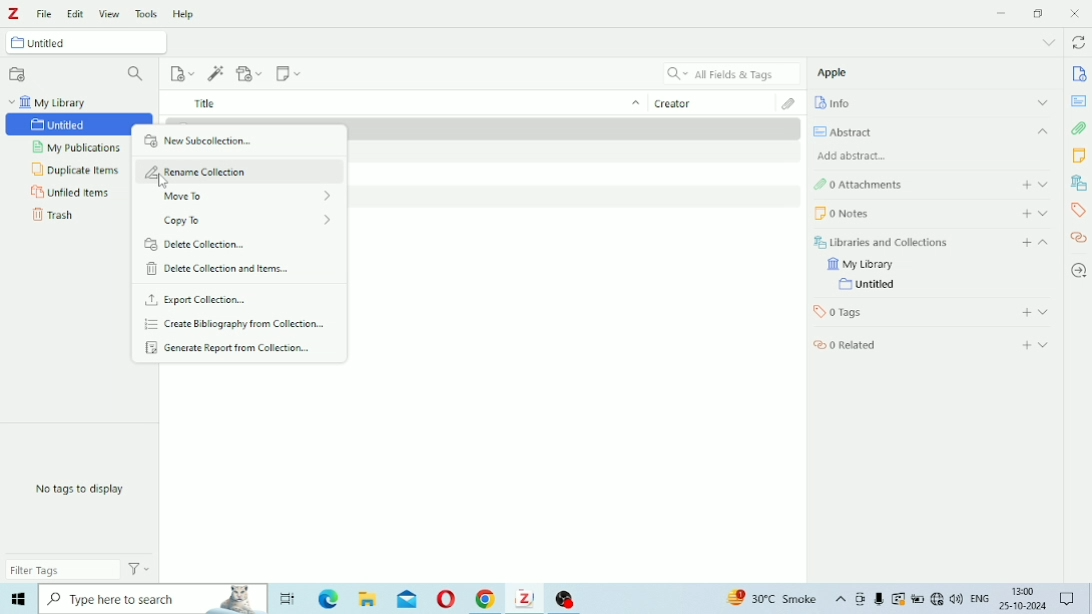  What do you see at coordinates (75, 168) in the screenshot?
I see `Duplicate Items` at bounding box center [75, 168].